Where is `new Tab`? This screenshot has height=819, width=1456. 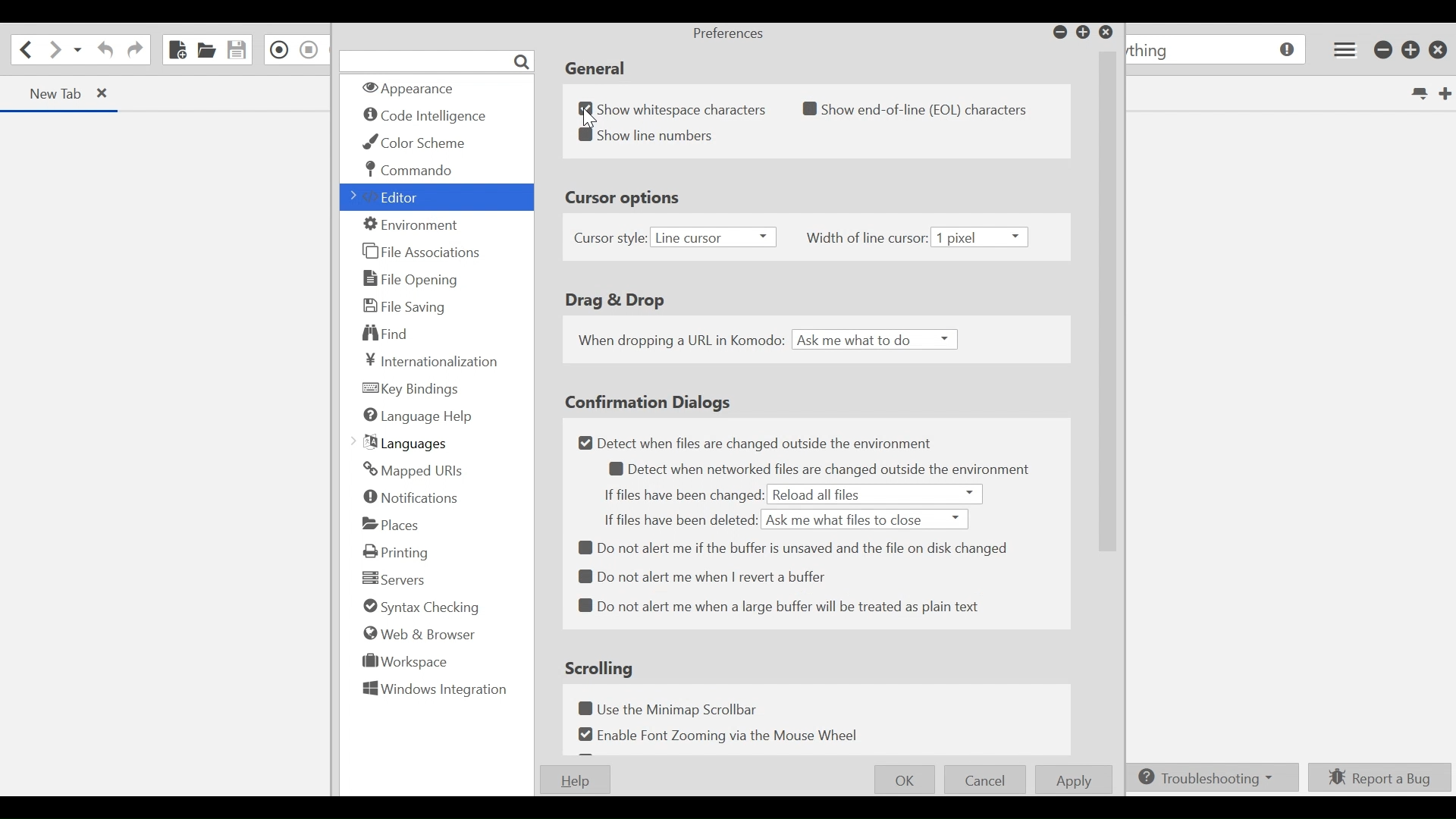
new Tab is located at coordinates (53, 93).